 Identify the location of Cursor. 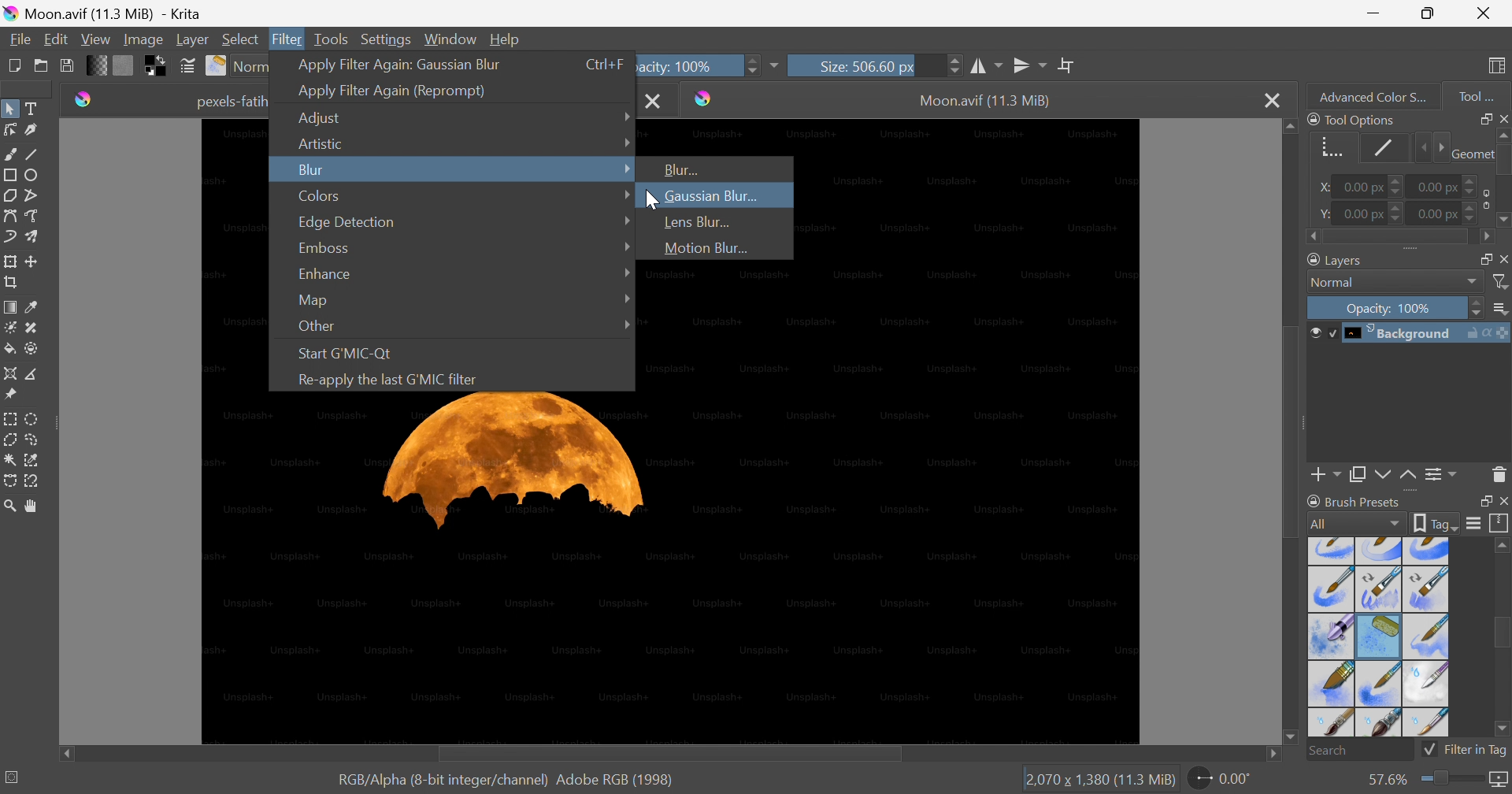
(648, 199).